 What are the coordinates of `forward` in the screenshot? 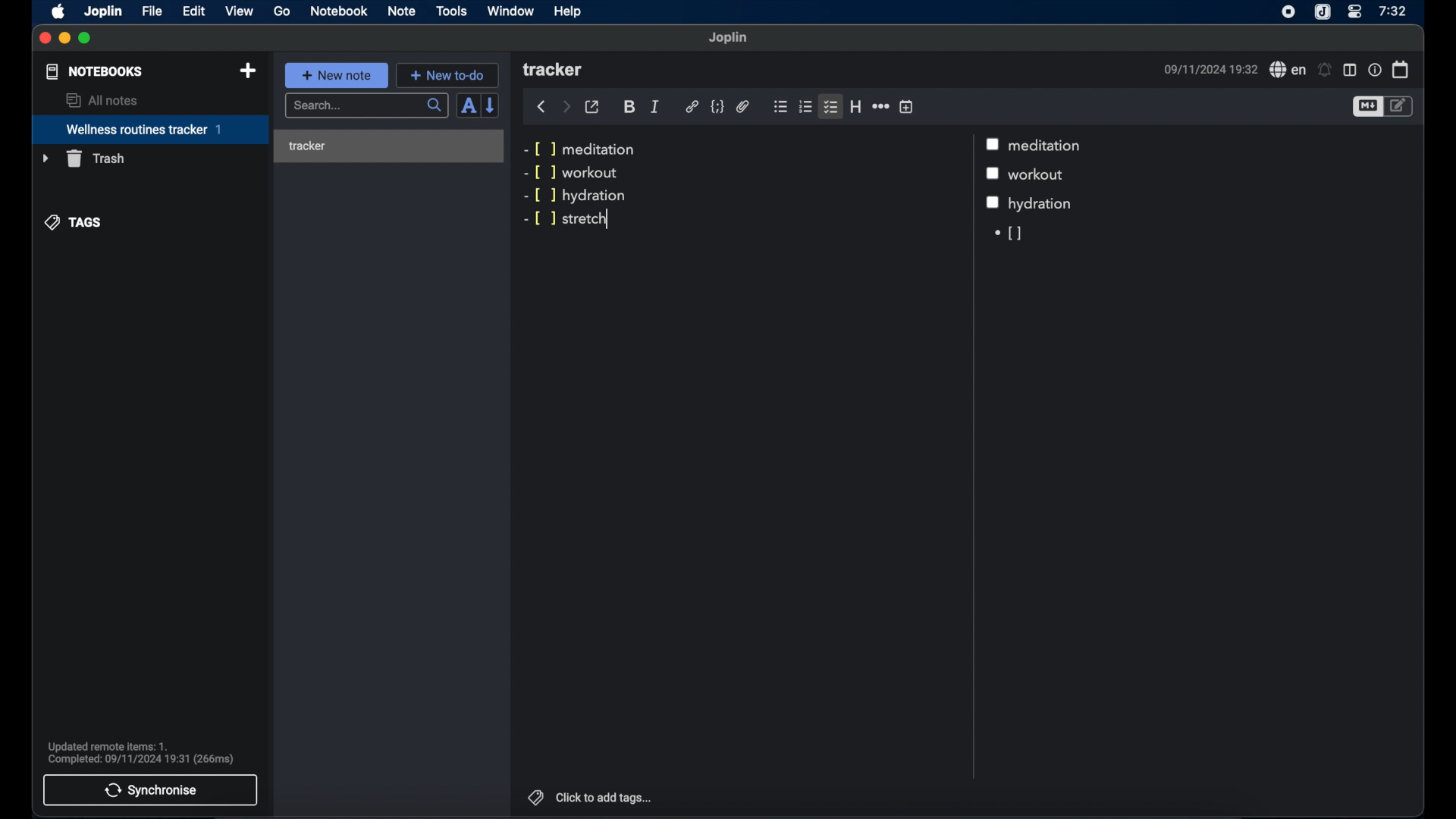 It's located at (566, 106).